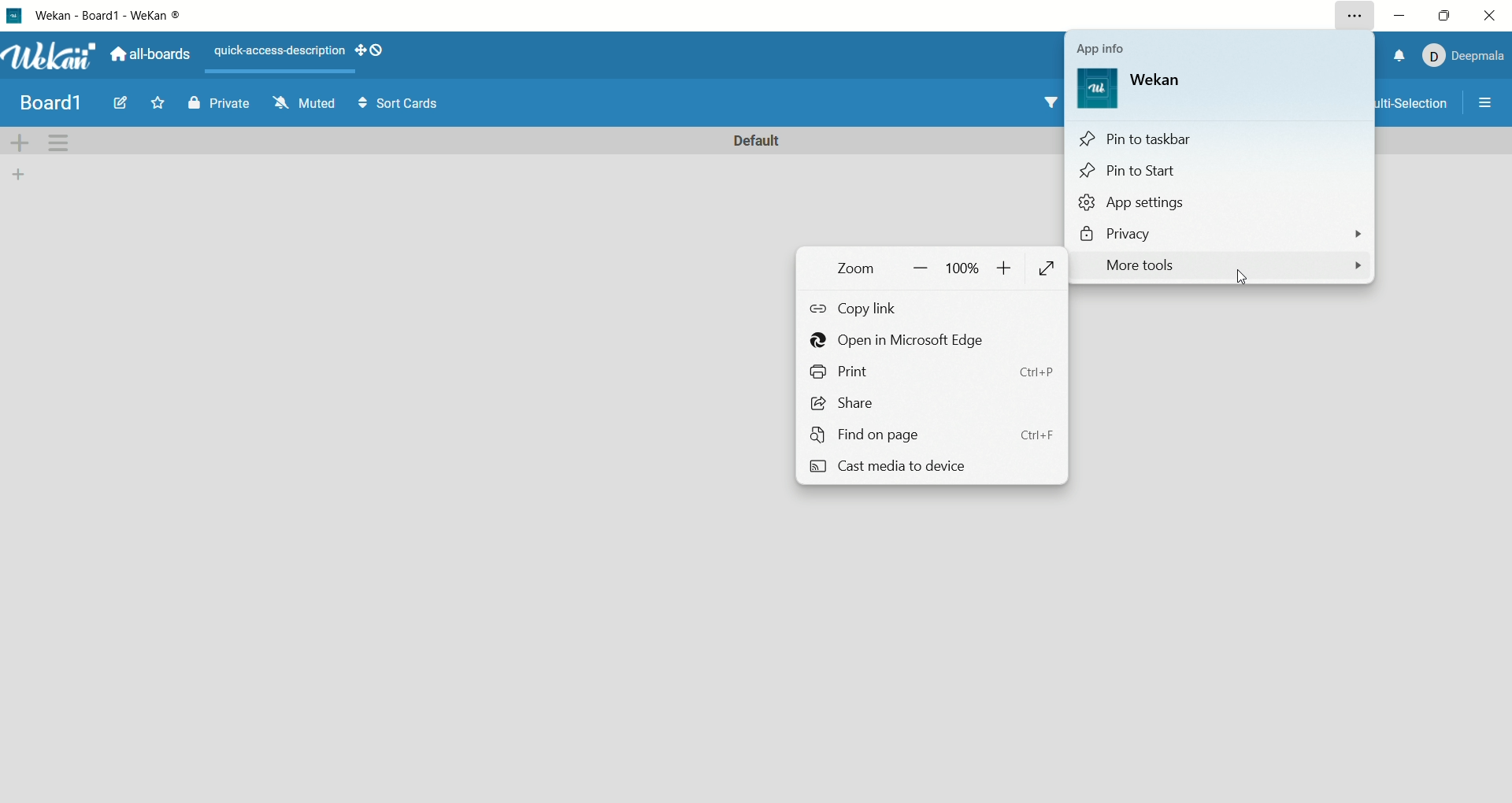 The image size is (1512, 803). I want to click on copy link, so click(858, 306).